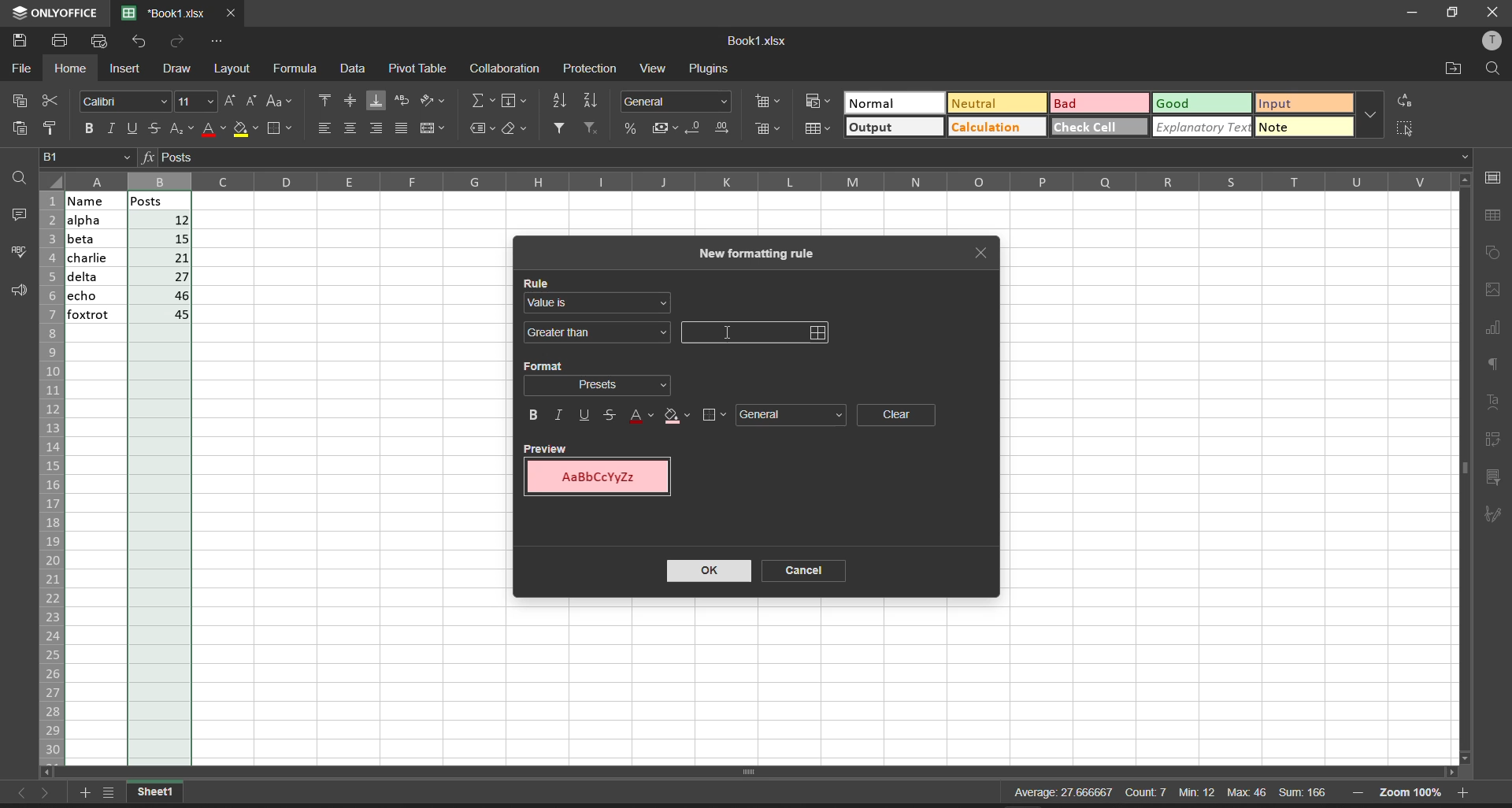 The image size is (1512, 808). Describe the element at coordinates (596, 334) in the screenshot. I see `greater than` at that location.